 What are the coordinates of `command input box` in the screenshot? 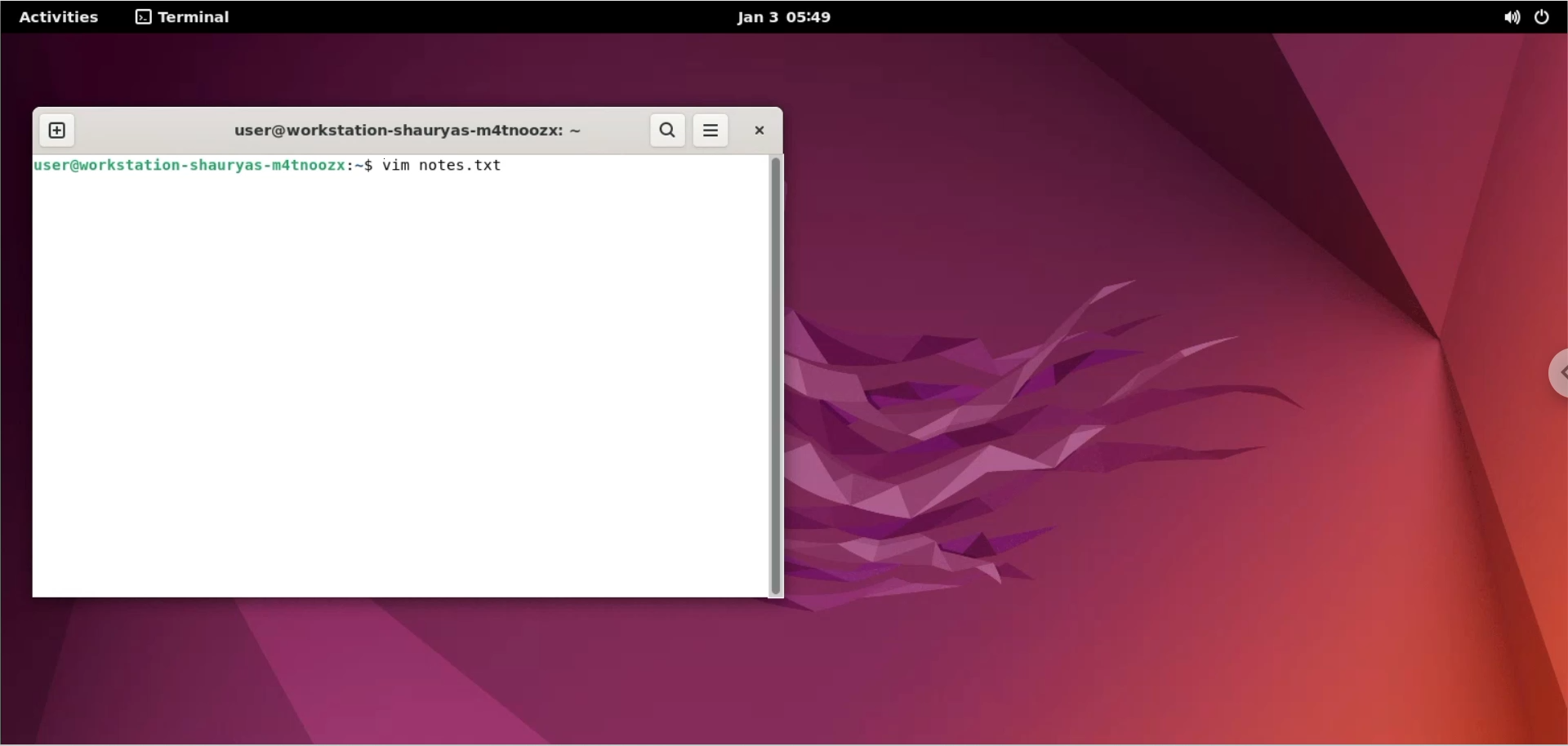 It's located at (398, 389).